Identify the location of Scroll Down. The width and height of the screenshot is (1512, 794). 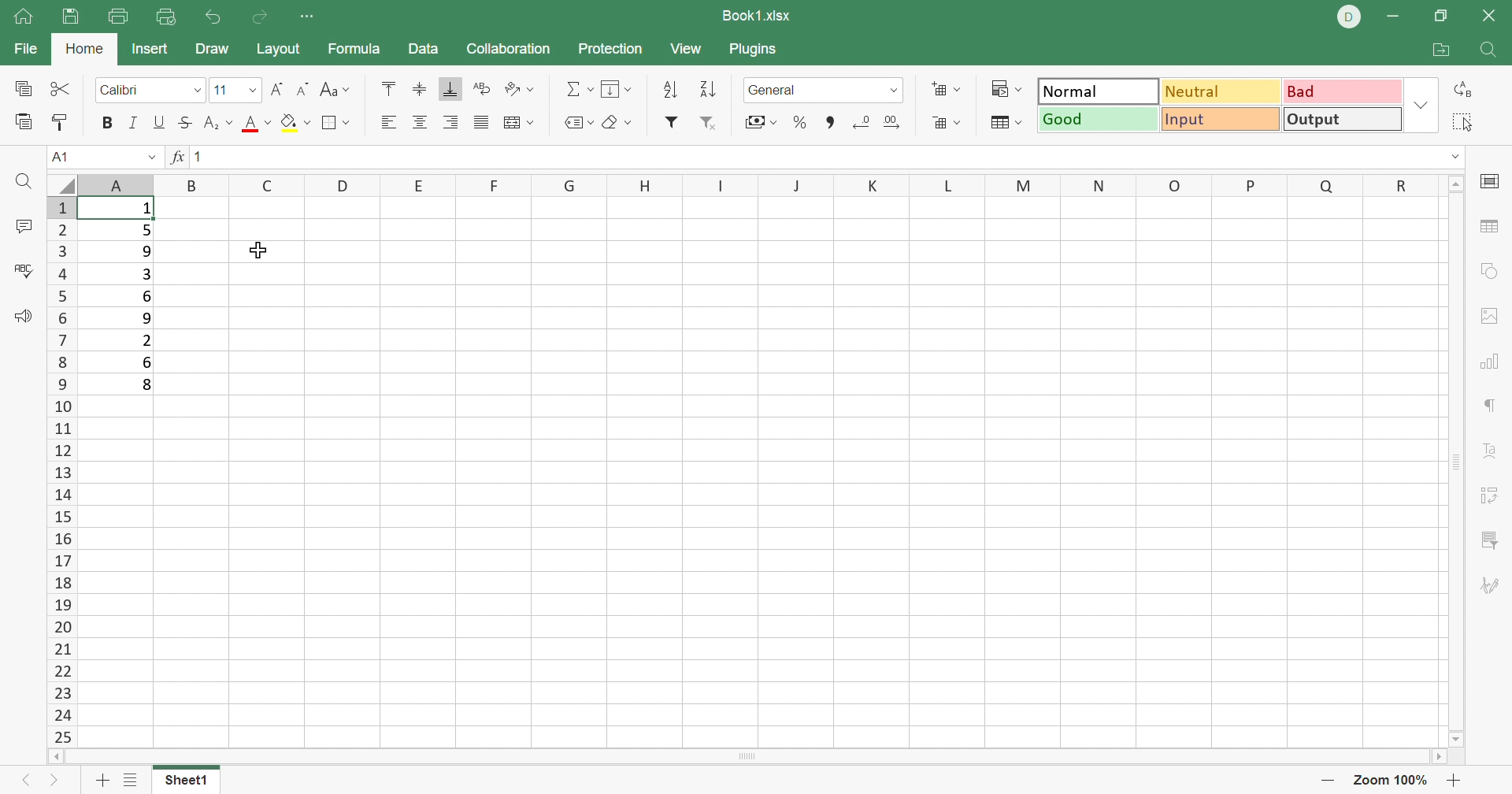
(1455, 739).